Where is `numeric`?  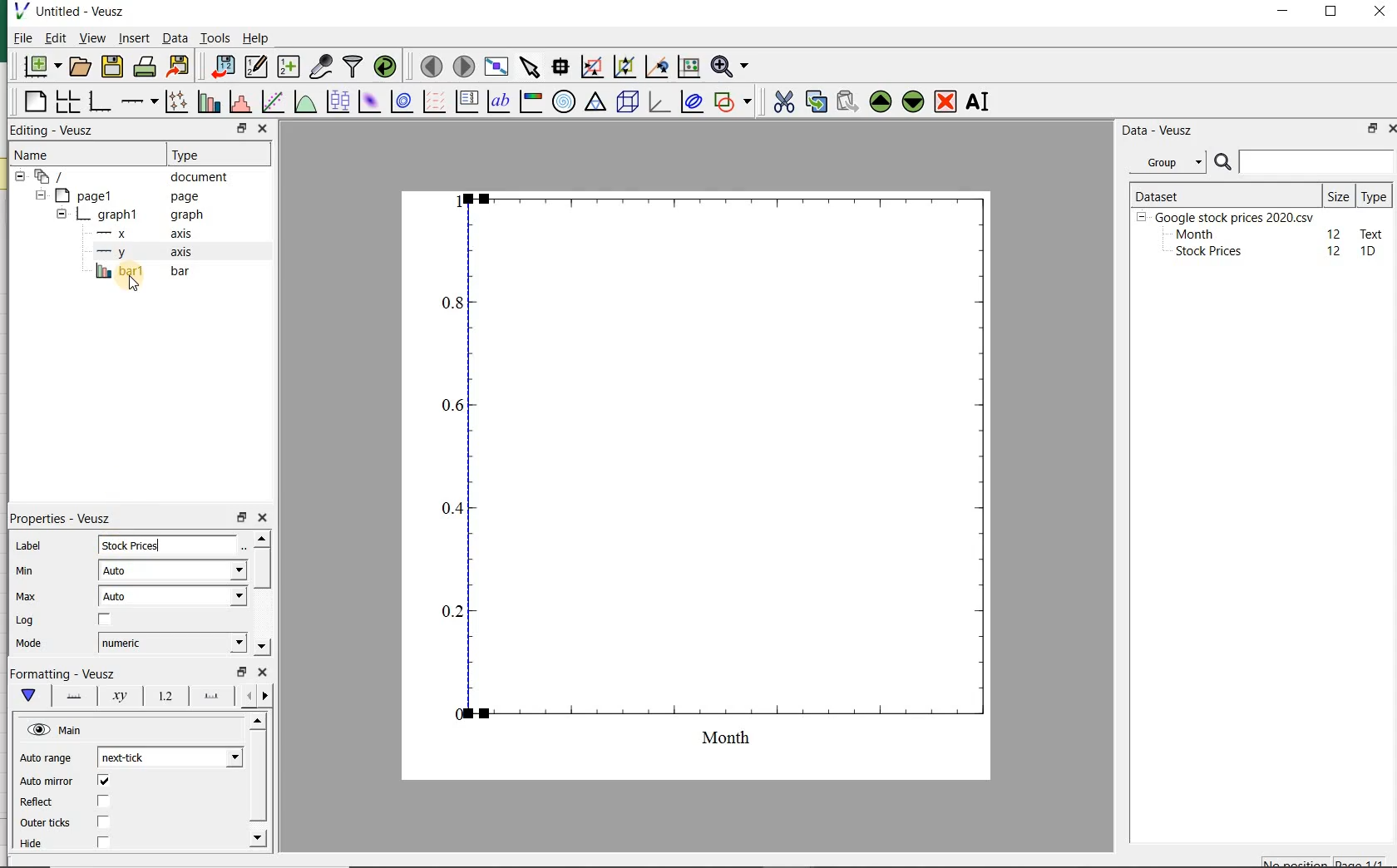
numeric is located at coordinates (170, 643).